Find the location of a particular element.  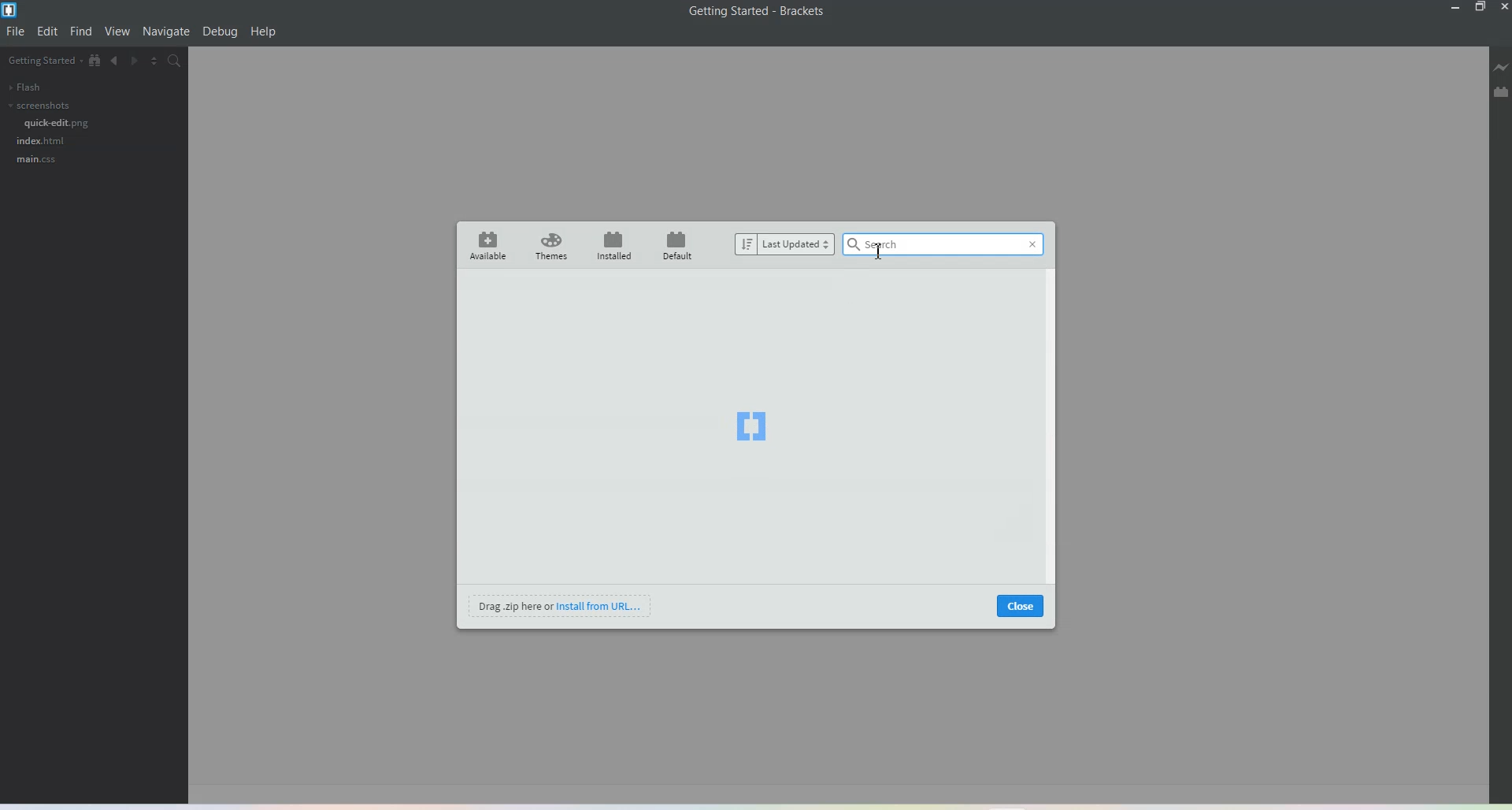

Sort Last Update is located at coordinates (785, 244).